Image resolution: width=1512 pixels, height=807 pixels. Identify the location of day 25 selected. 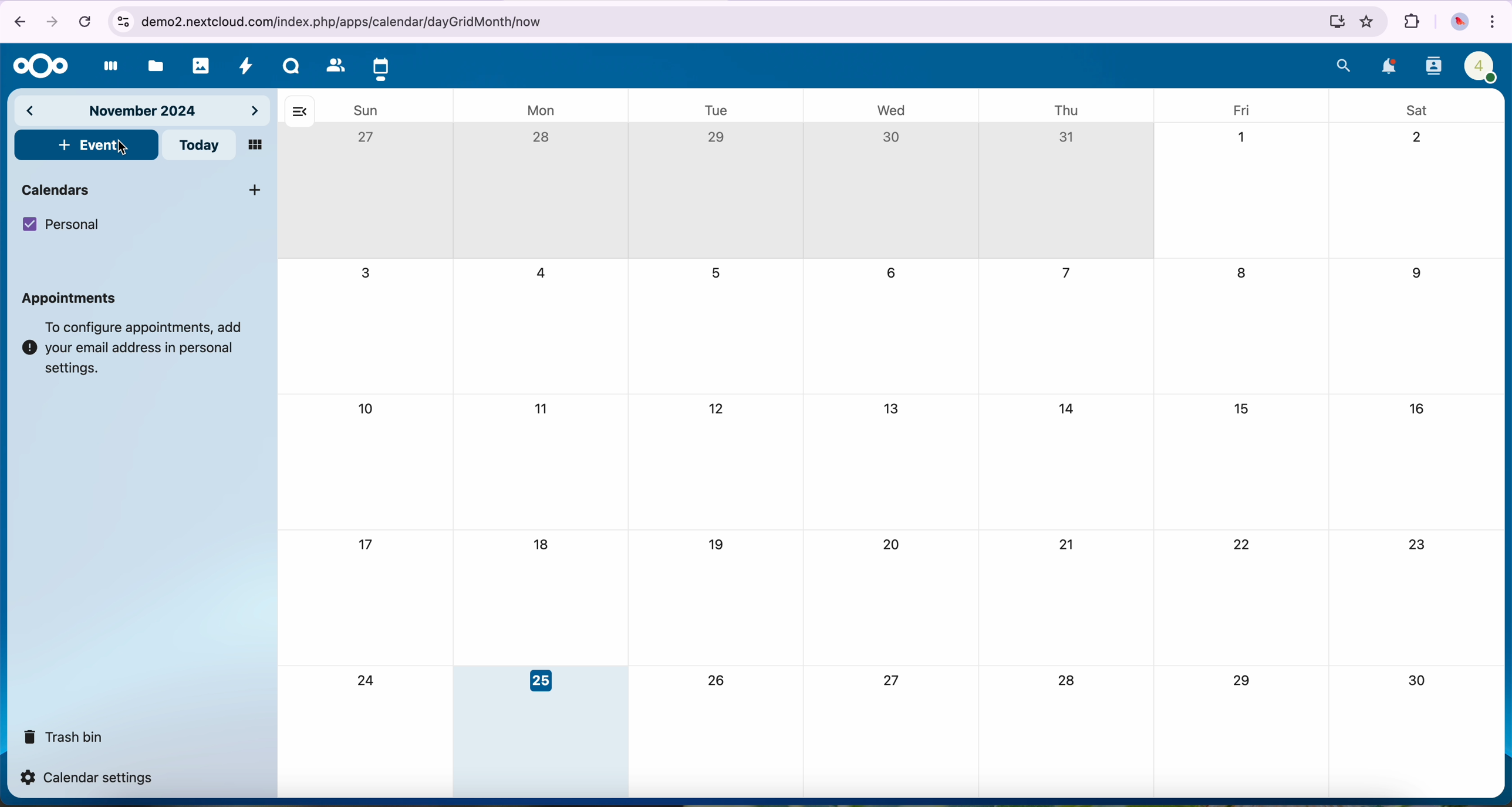
(541, 732).